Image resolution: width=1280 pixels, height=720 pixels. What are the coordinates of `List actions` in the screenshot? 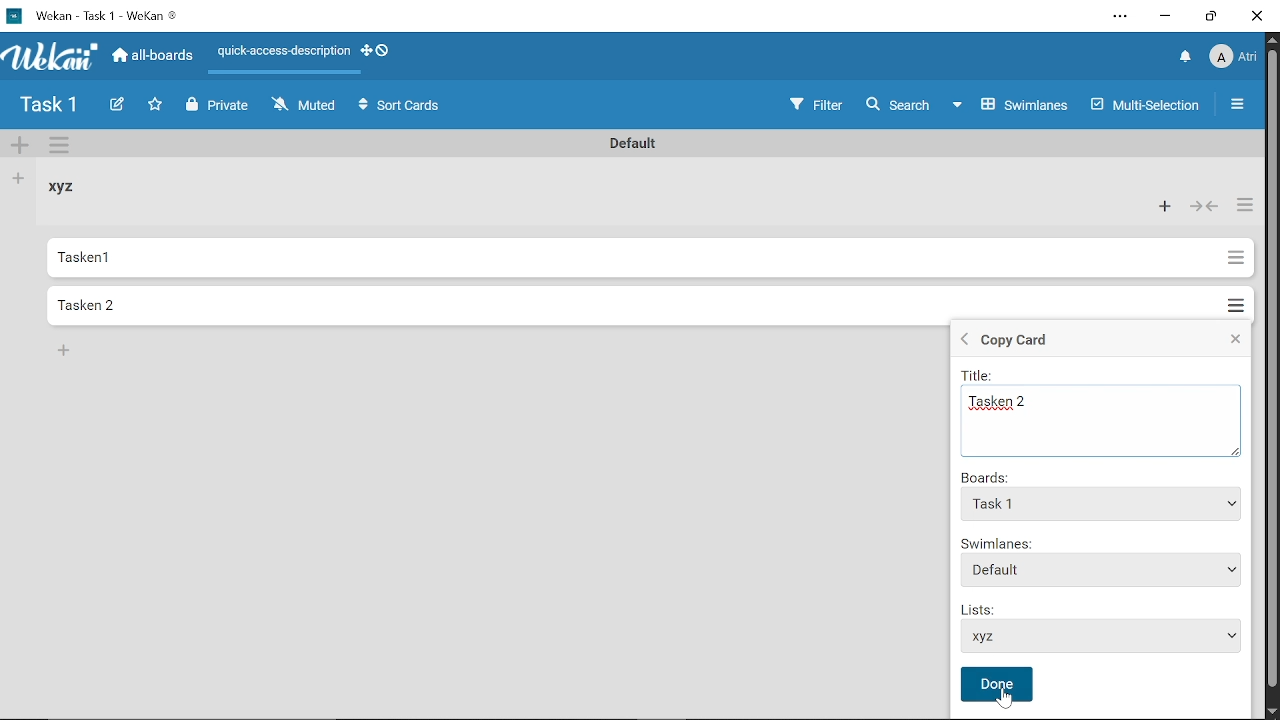 It's located at (1241, 206).